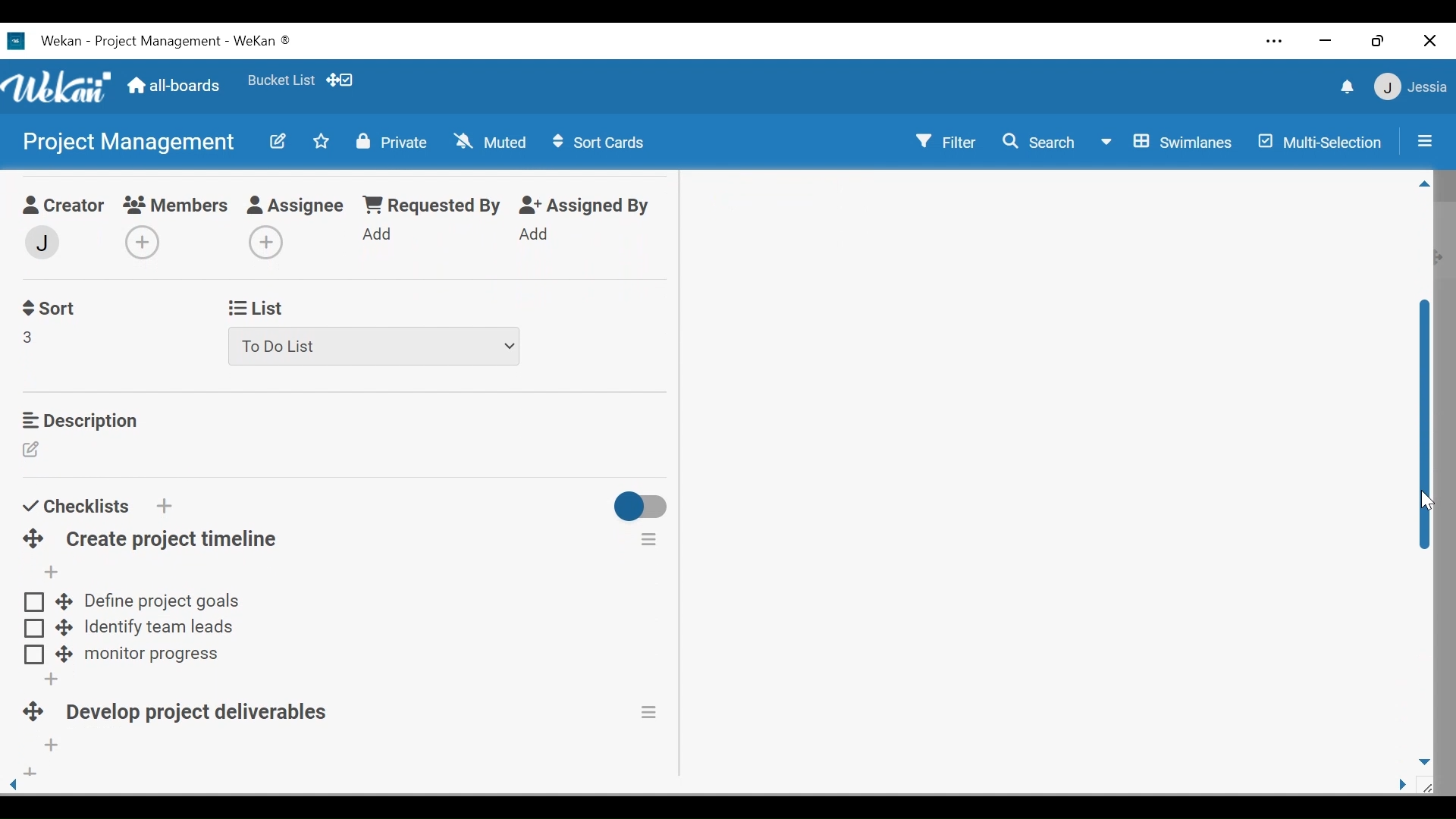 This screenshot has width=1456, height=819. Describe the element at coordinates (33, 629) in the screenshot. I see `(un)check` at that location.